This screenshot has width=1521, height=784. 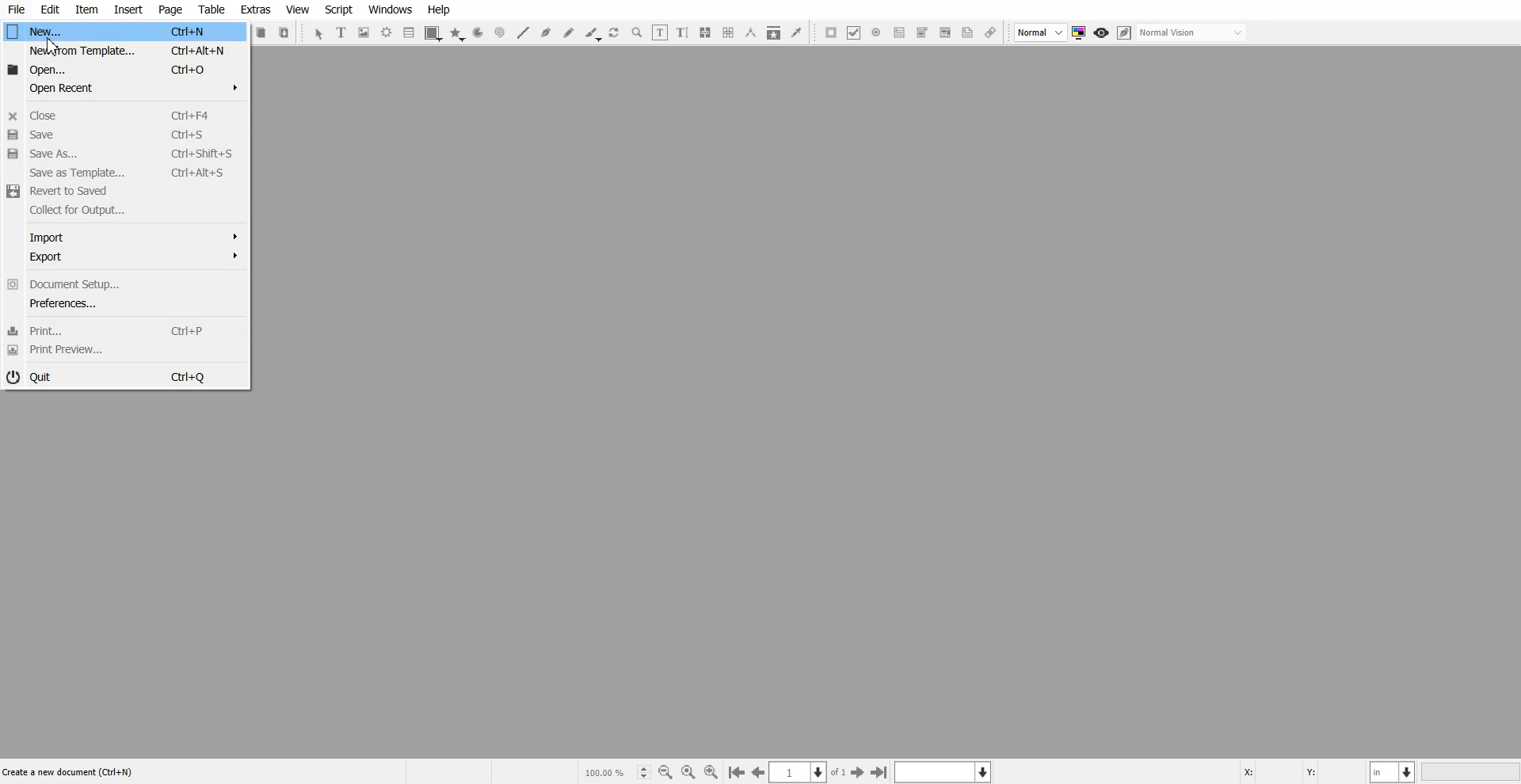 What do you see at coordinates (17, 10) in the screenshot?
I see `File` at bounding box center [17, 10].